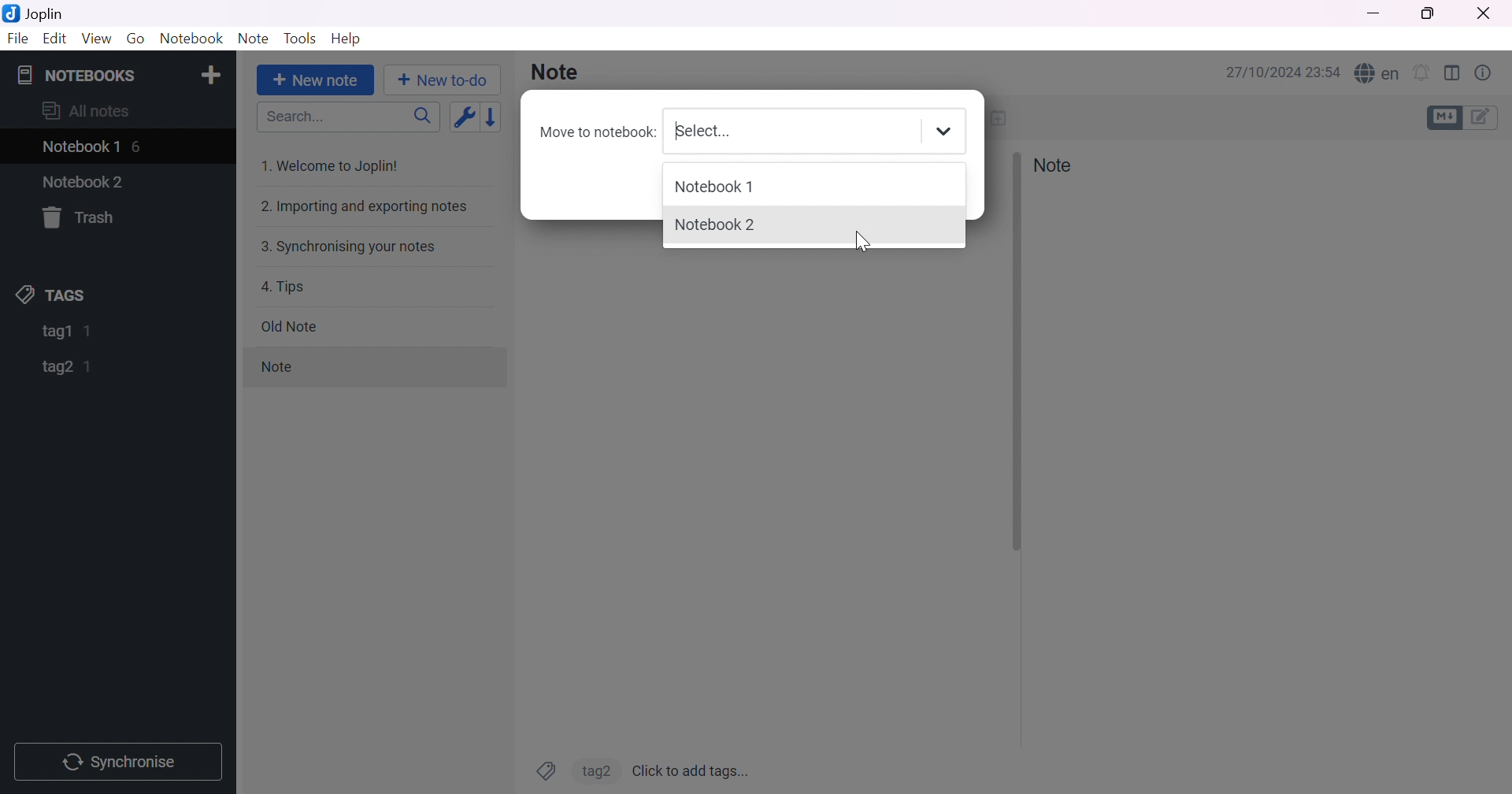 The width and height of the screenshot is (1512, 794). I want to click on All notes, so click(86, 109).